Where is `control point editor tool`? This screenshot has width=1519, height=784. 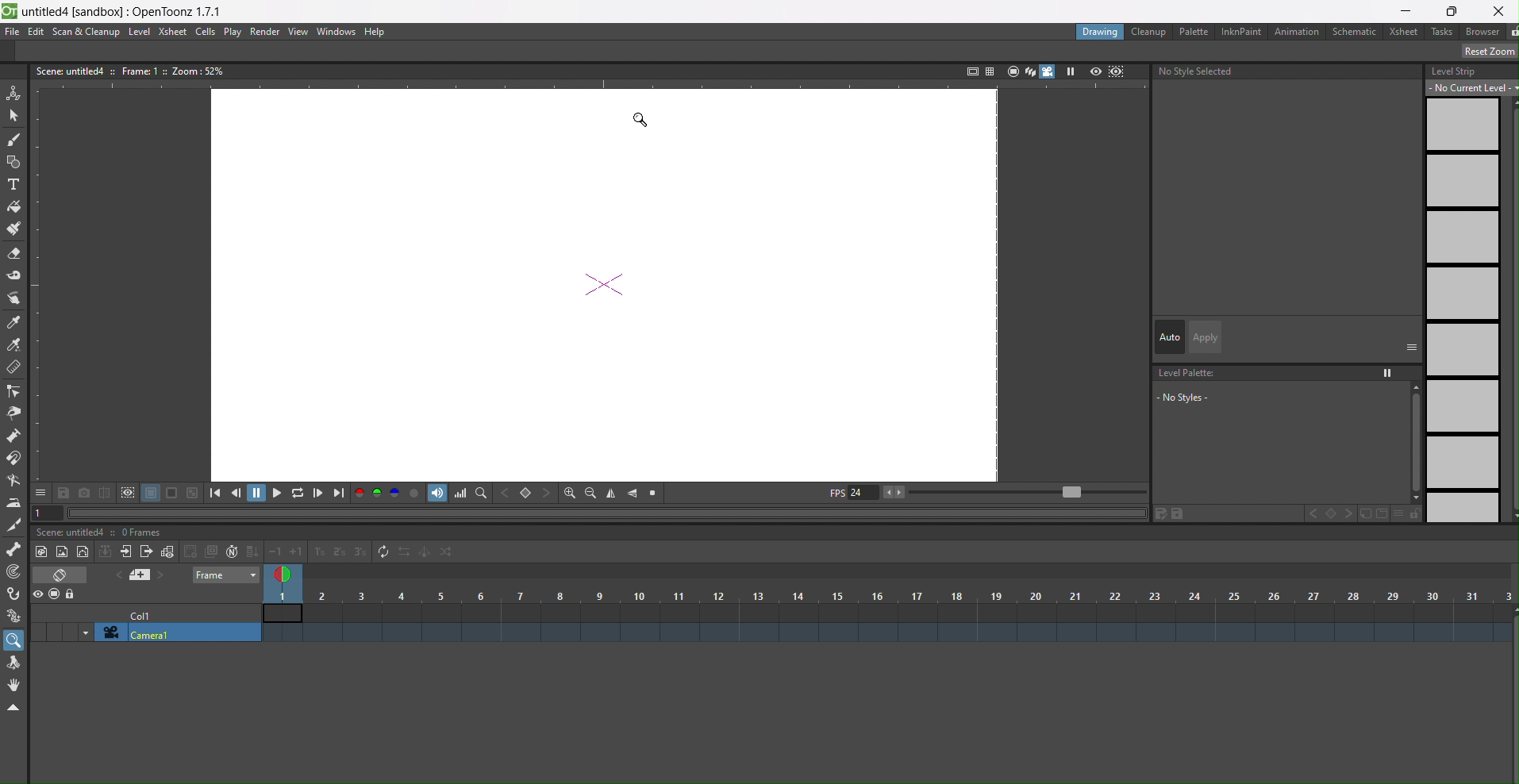 control point editor tool is located at coordinates (15, 391).